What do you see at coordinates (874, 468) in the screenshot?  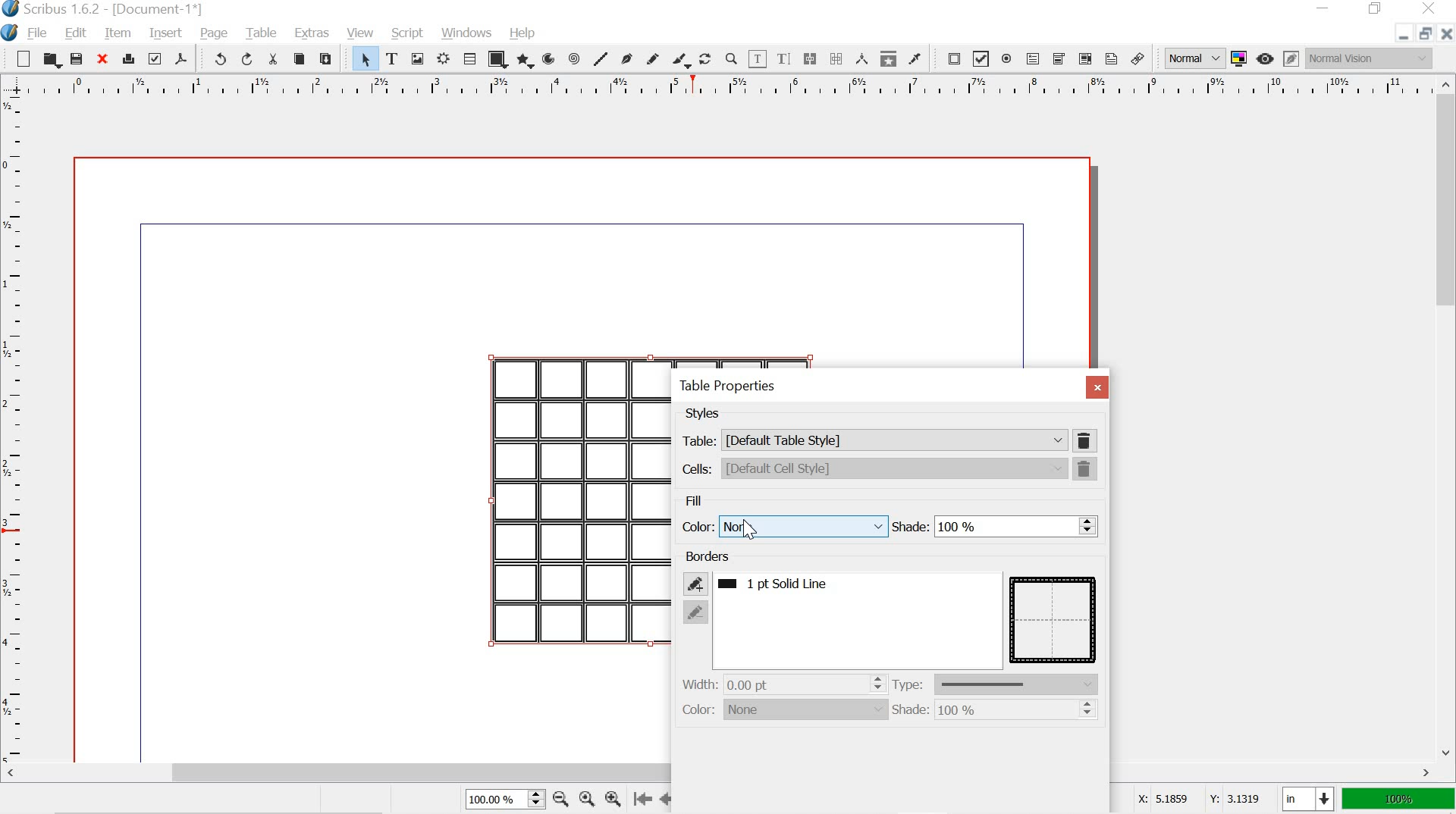 I see `cells: [Default Cell Style]` at bounding box center [874, 468].